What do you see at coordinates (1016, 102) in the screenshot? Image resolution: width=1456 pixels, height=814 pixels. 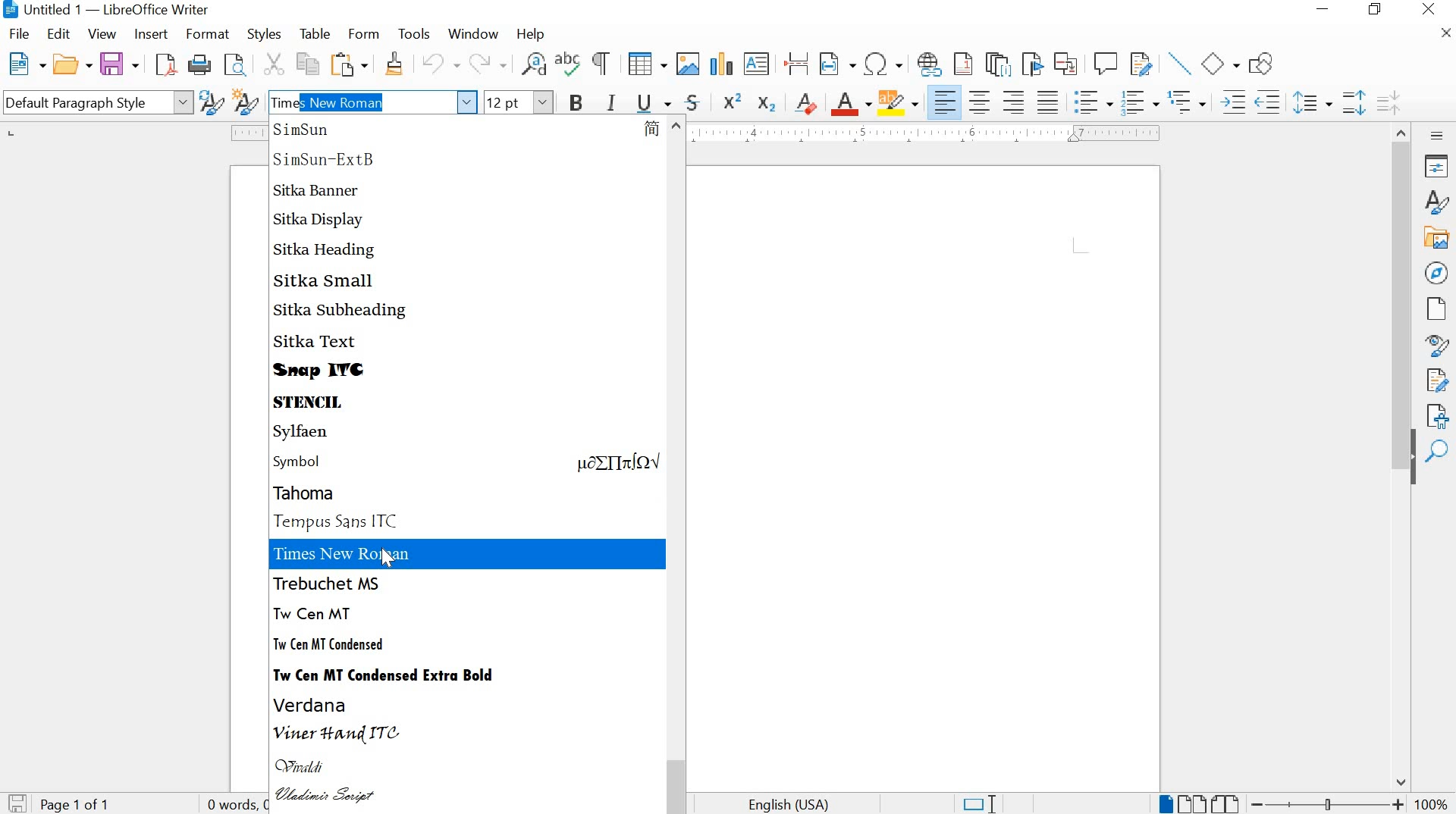 I see `ALIGN RIGHT` at bounding box center [1016, 102].